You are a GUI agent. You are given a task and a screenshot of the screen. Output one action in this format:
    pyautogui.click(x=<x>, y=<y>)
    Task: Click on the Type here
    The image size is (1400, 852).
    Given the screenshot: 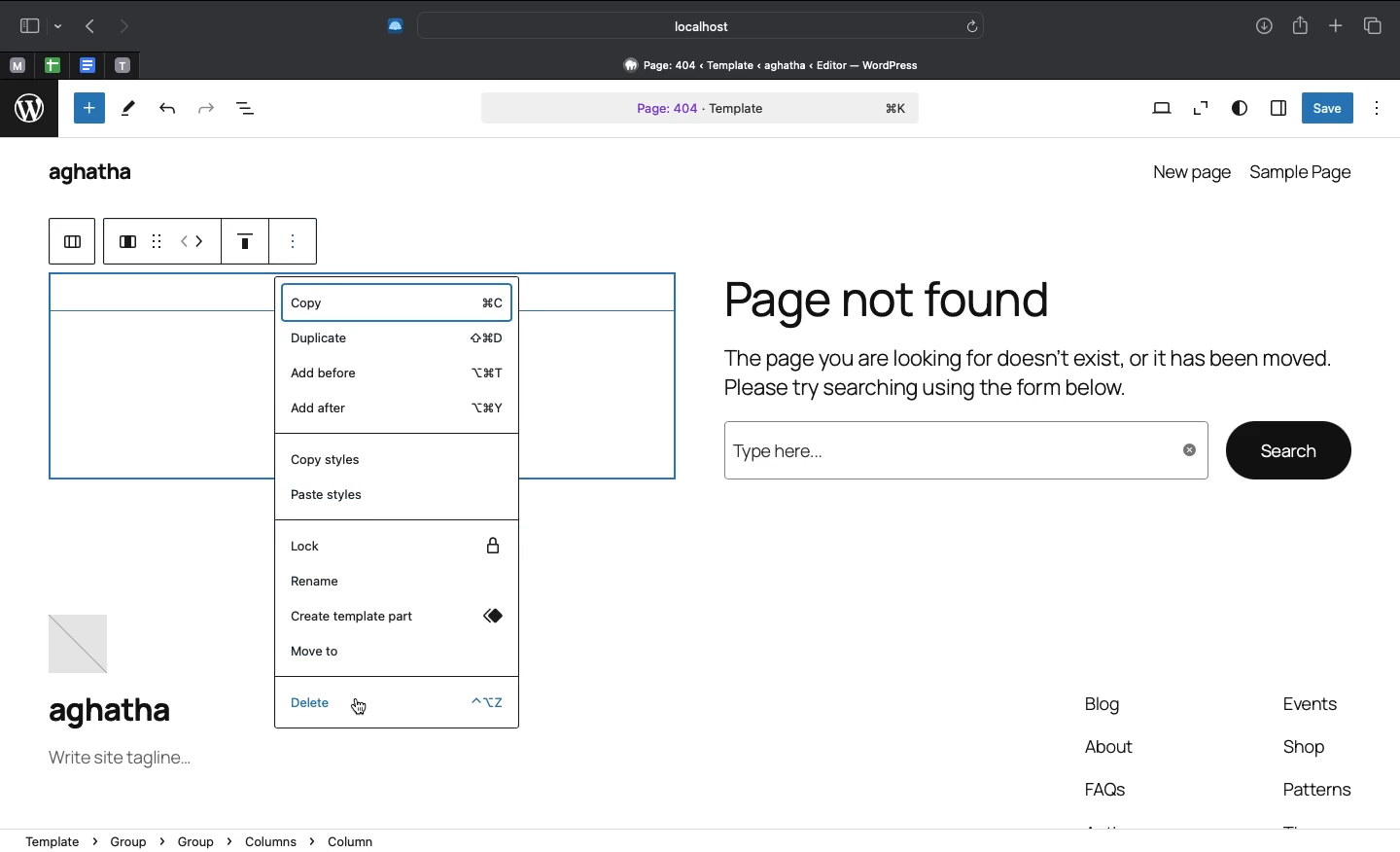 What is the action you would take?
    pyautogui.click(x=961, y=450)
    